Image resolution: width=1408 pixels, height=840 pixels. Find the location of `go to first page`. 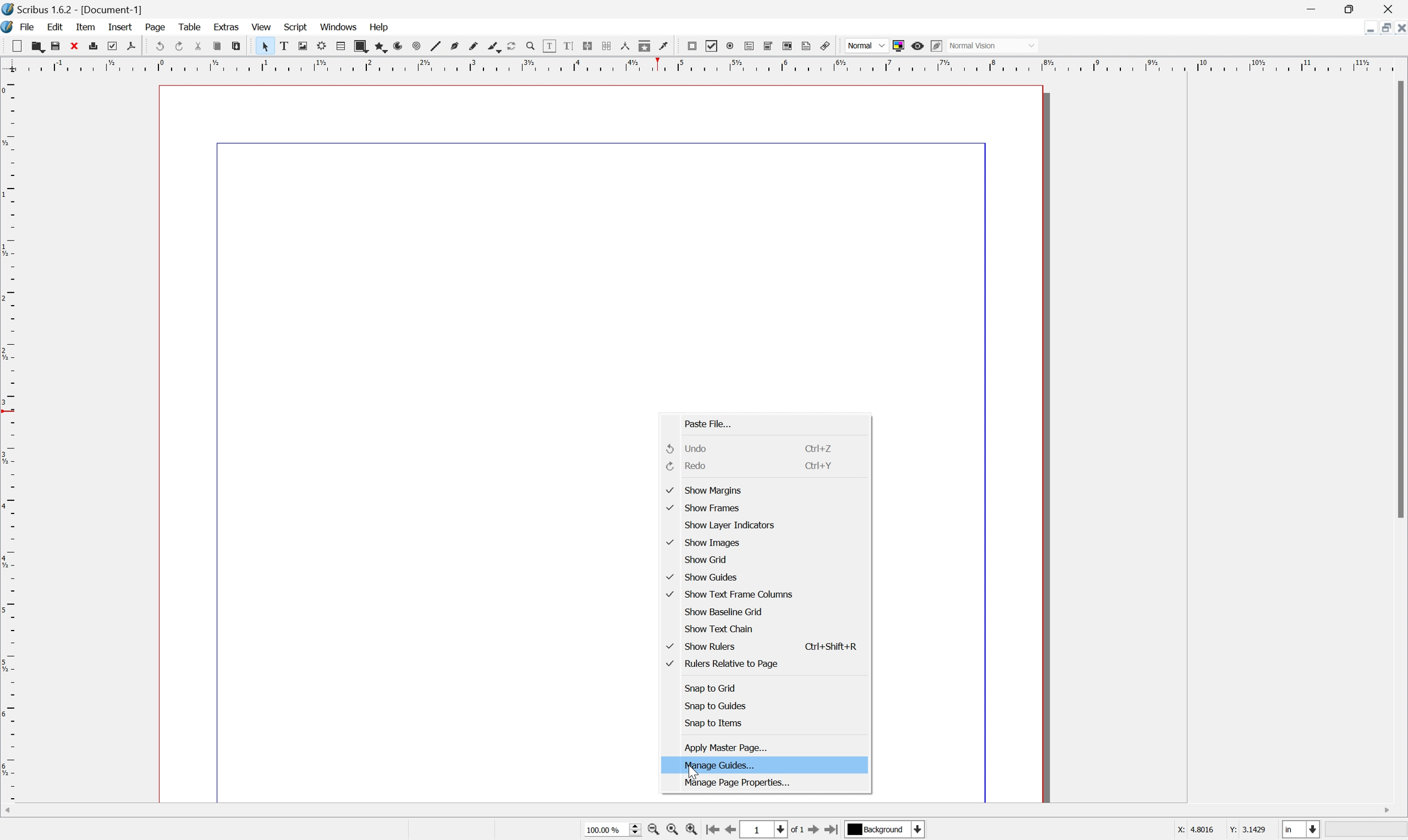

go to first page is located at coordinates (712, 830).